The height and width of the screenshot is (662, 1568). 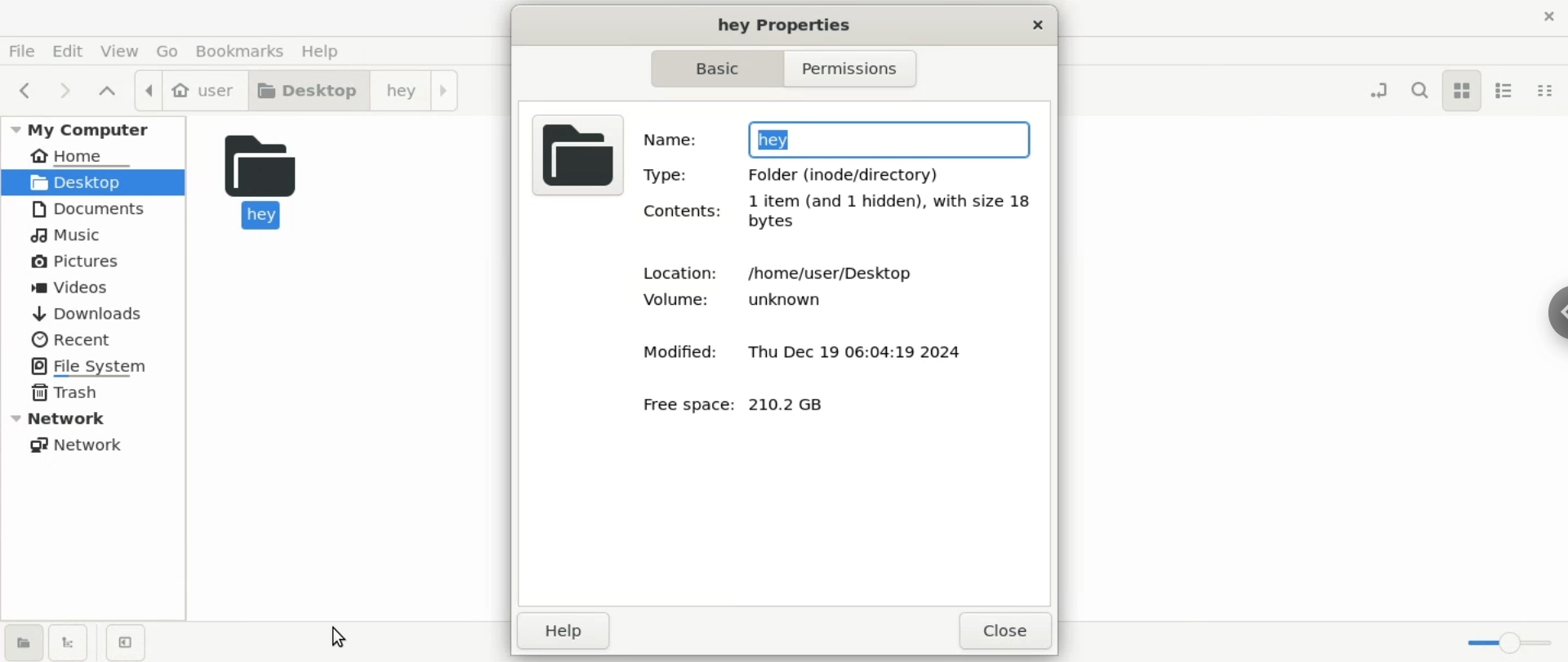 I want to click on icon view, so click(x=1462, y=91).